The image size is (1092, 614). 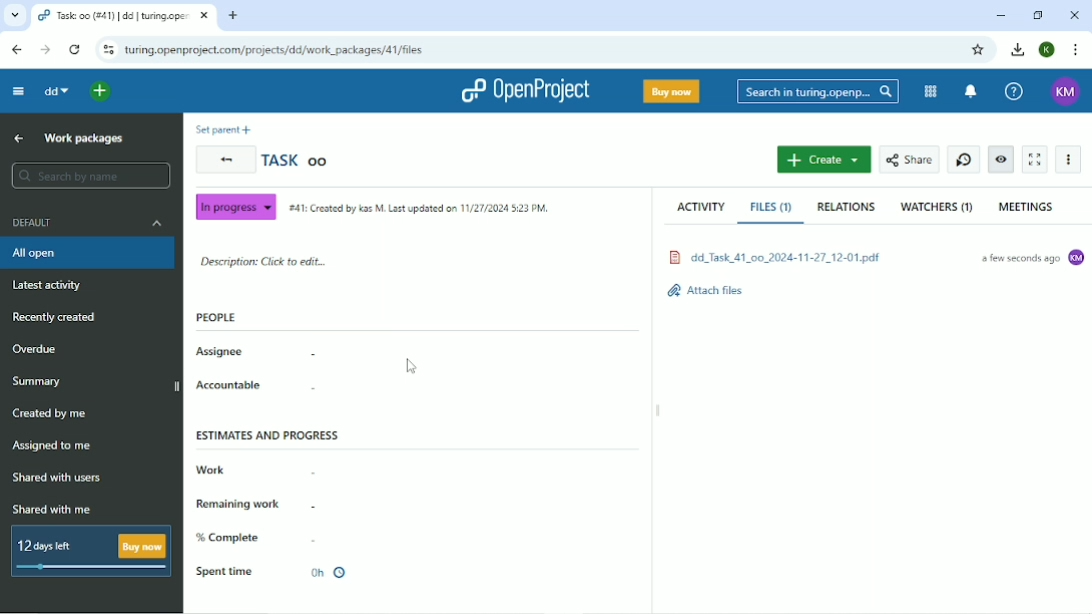 I want to click on Unwatch work package, so click(x=1001, y=159).